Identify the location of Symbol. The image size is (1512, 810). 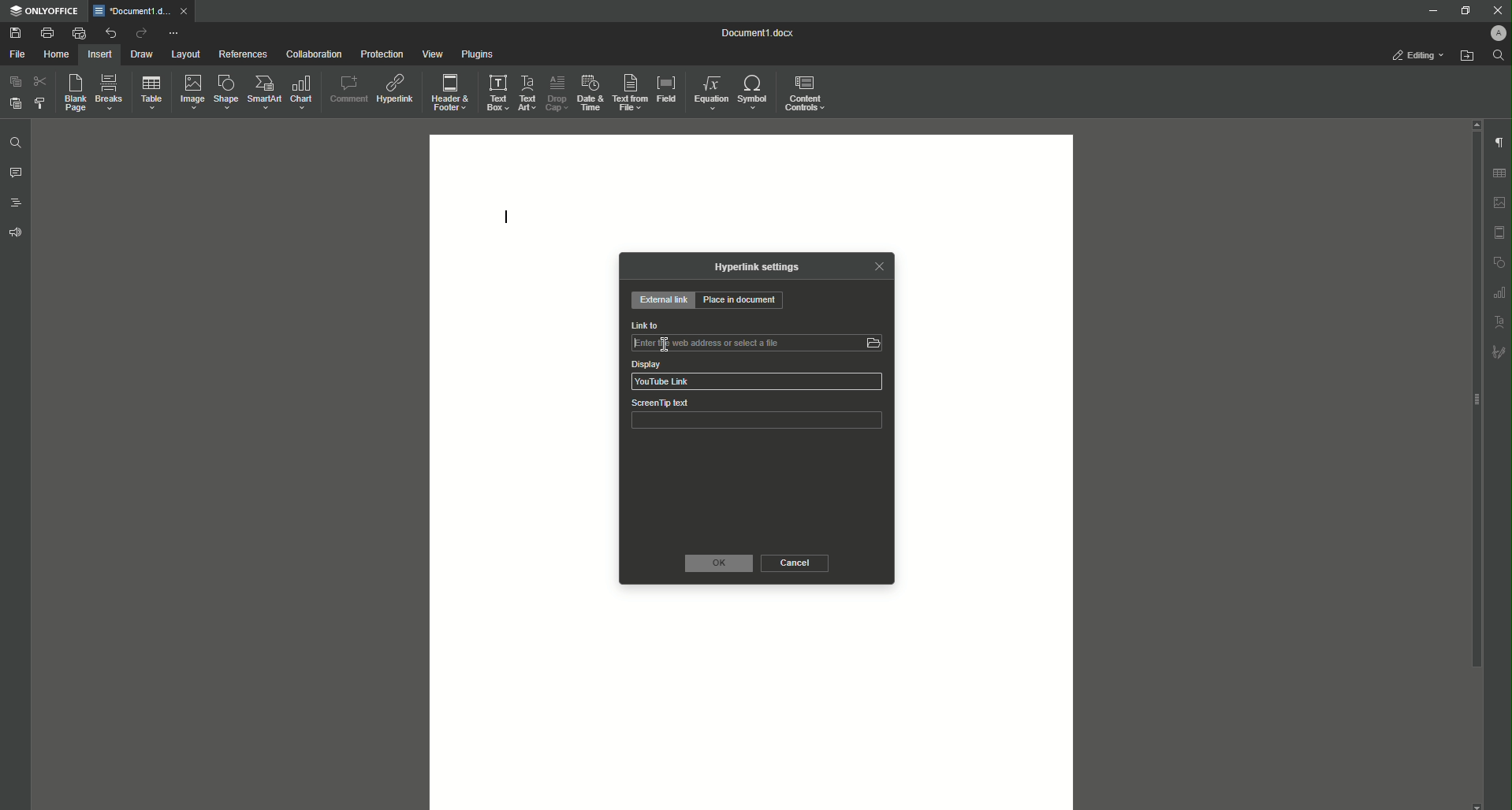
(754, 91).